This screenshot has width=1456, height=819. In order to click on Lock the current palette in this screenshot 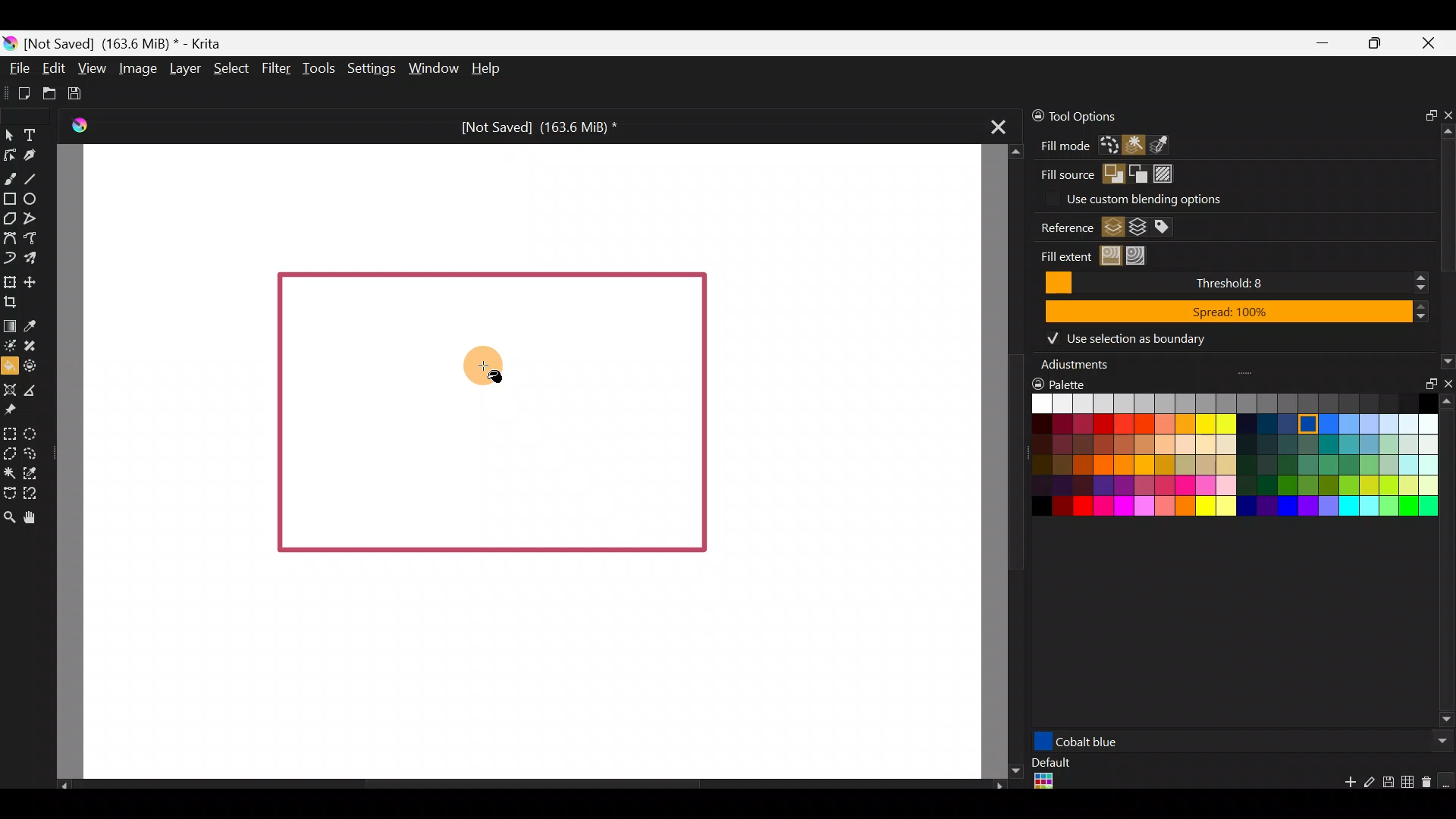, I will do `click(1447, 781)`.